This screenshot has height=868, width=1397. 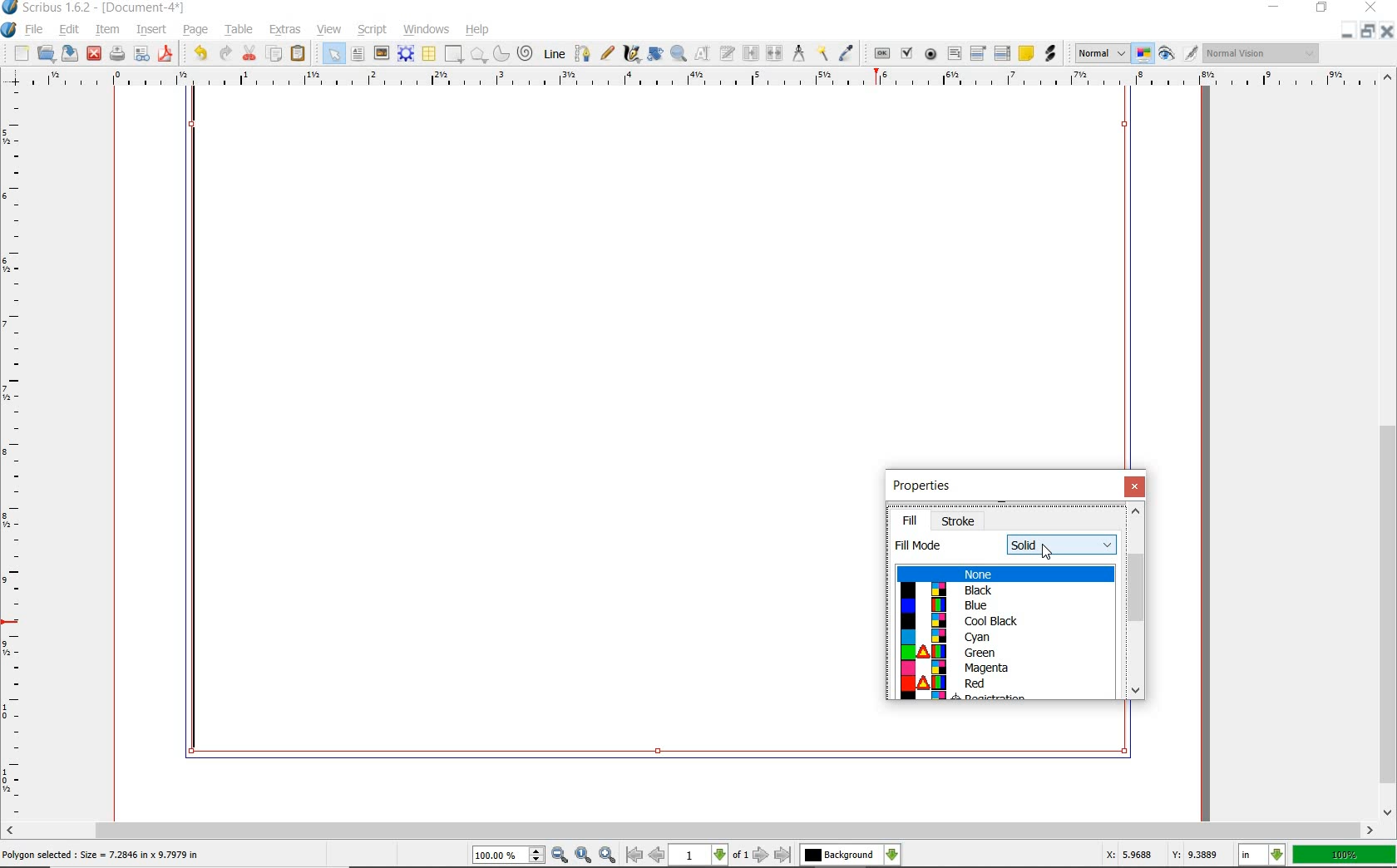 I want to click on ruler, so click(x=15, y=457).